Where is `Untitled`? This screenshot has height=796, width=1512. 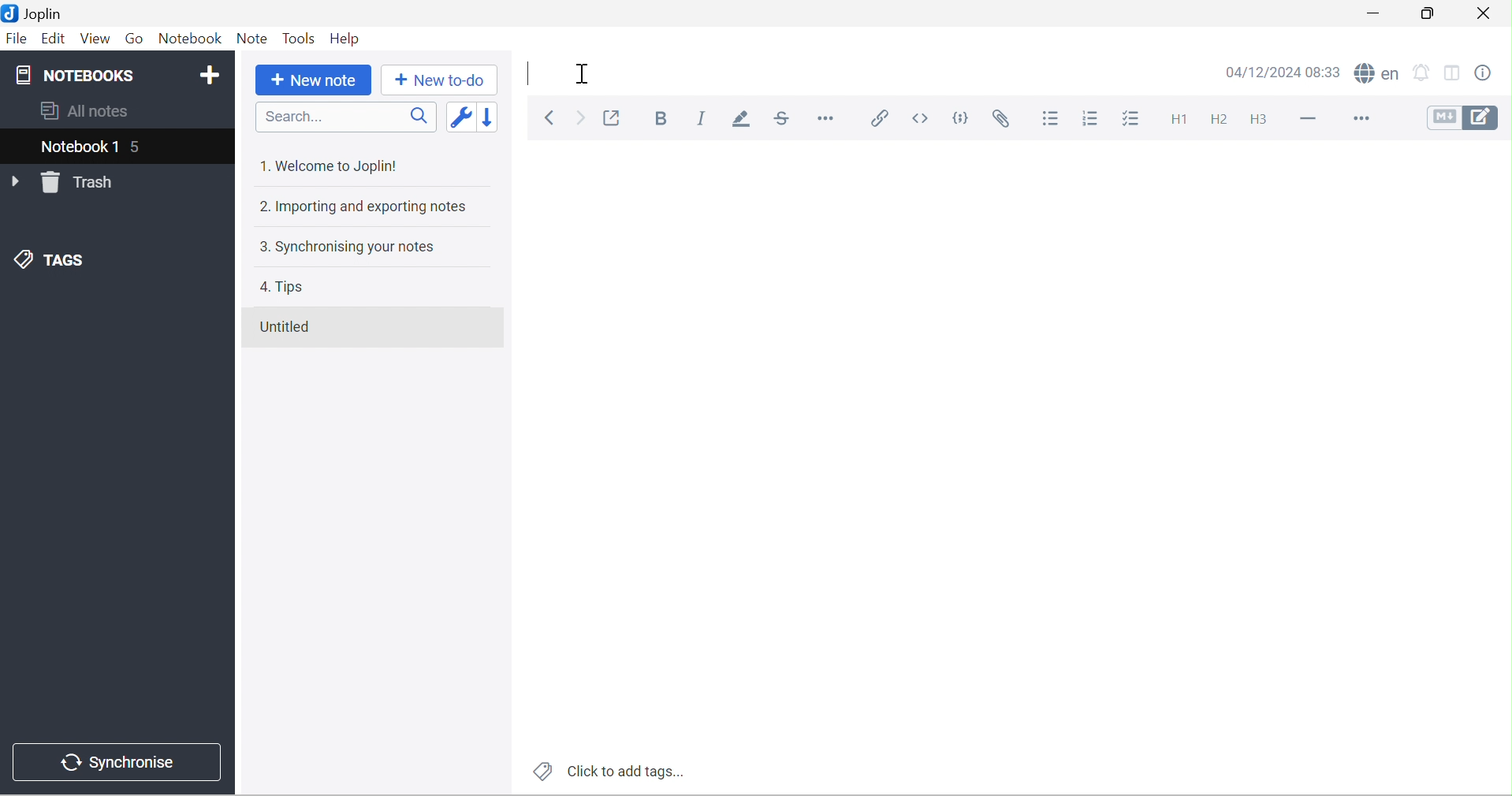
Untitled is located at coordinates (289, 326).